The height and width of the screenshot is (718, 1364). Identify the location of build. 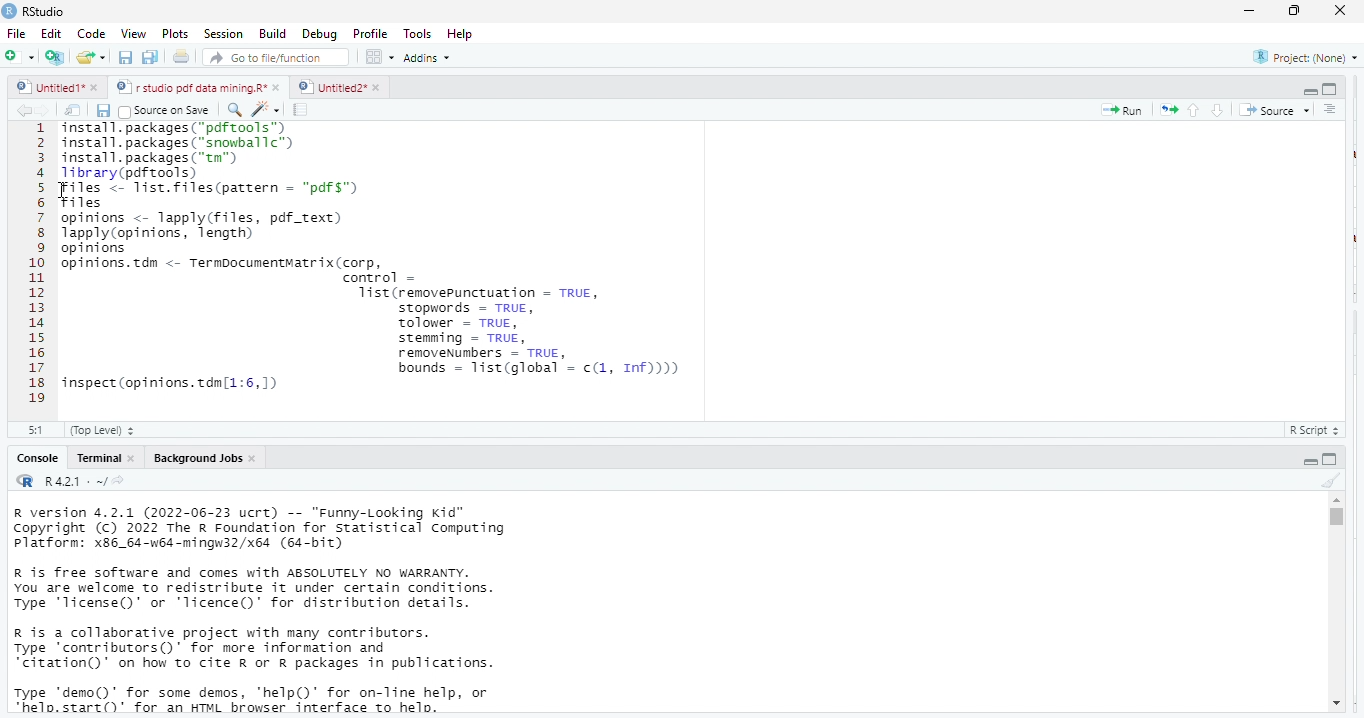
(273, 33).